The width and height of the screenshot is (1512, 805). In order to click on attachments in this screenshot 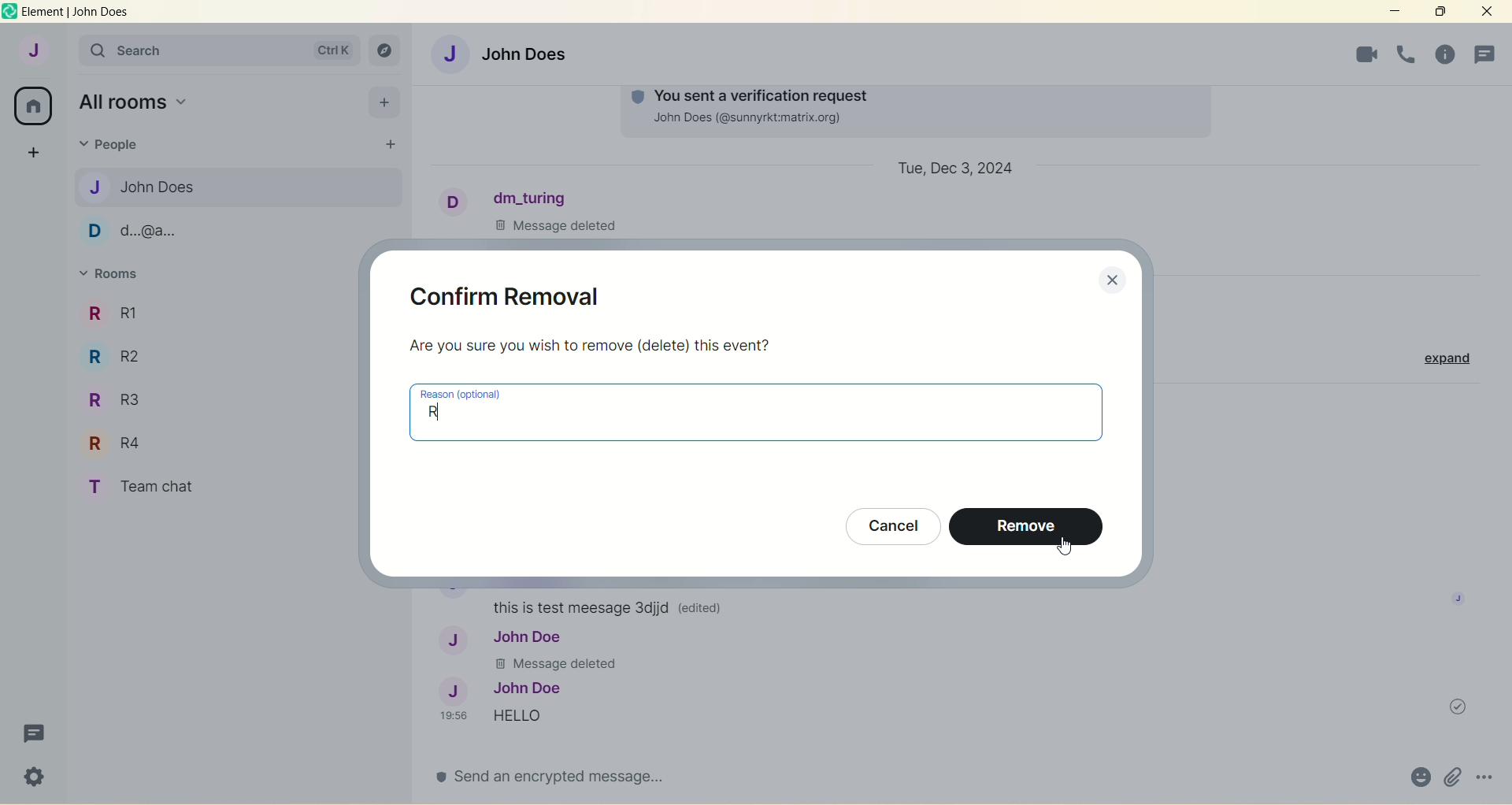, I will do `click(1447, 777)`.